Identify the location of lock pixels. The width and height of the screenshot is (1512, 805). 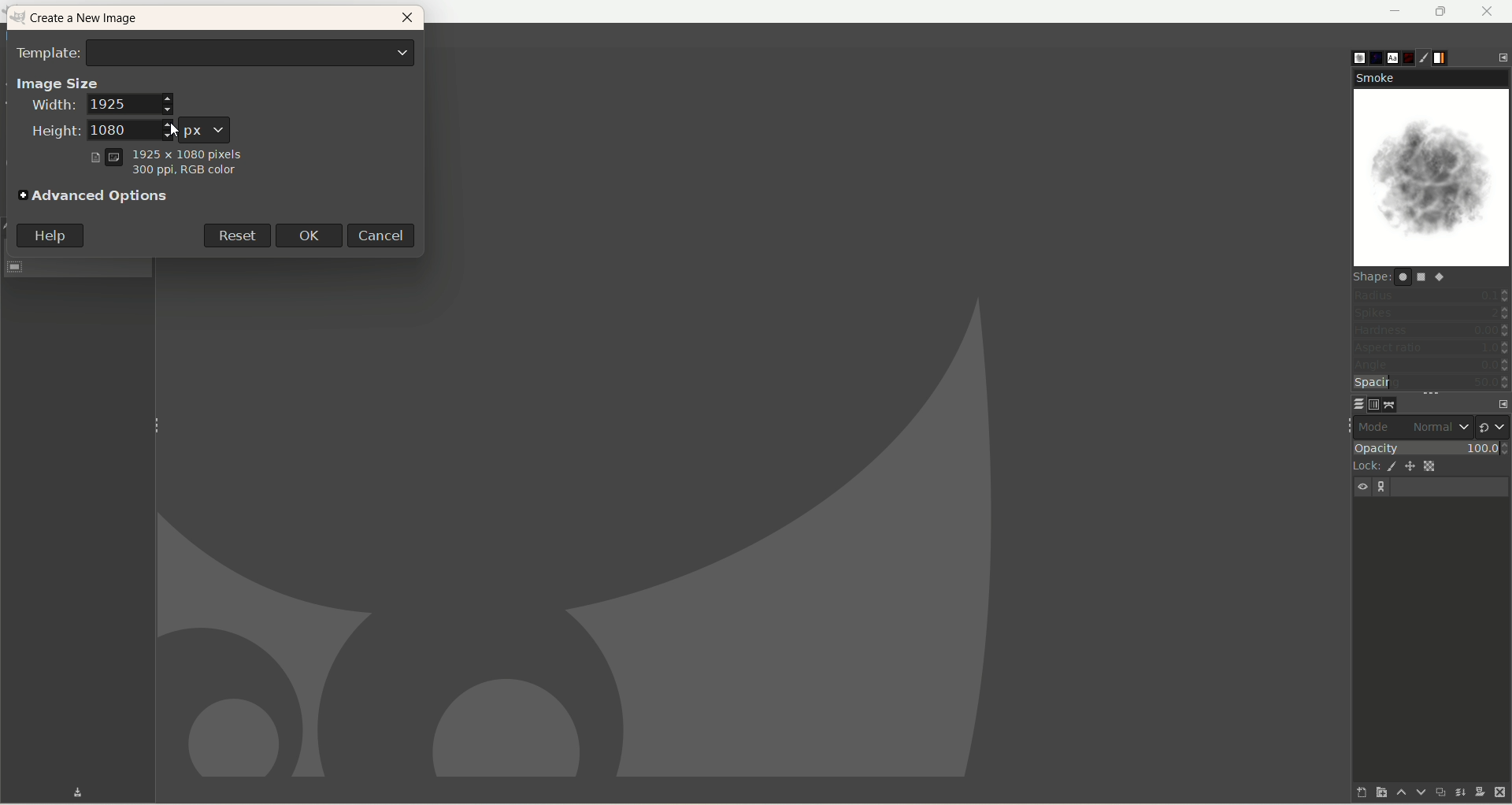
(1389, 466).